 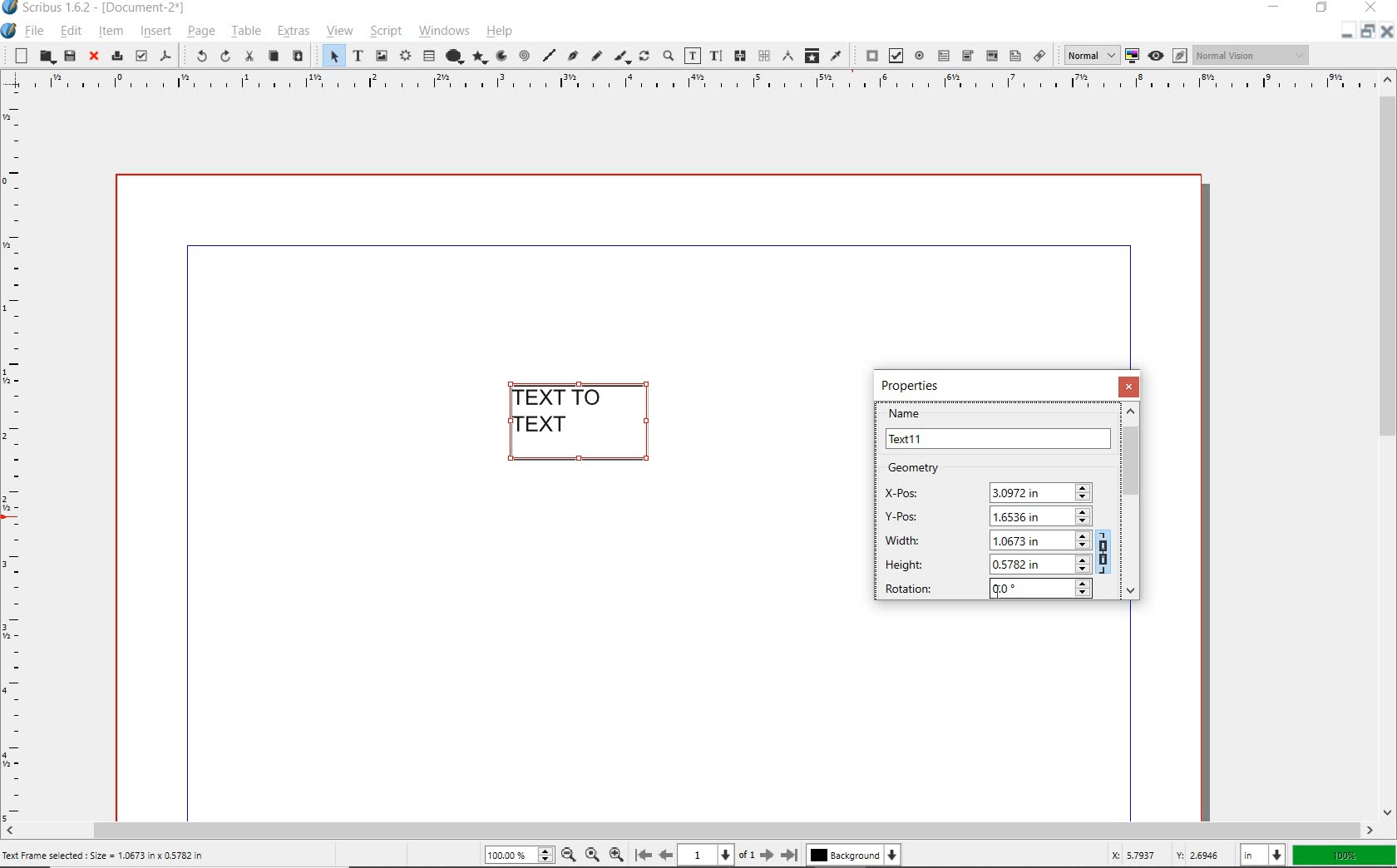 I want to click on undo, so click(x=195, y=57).